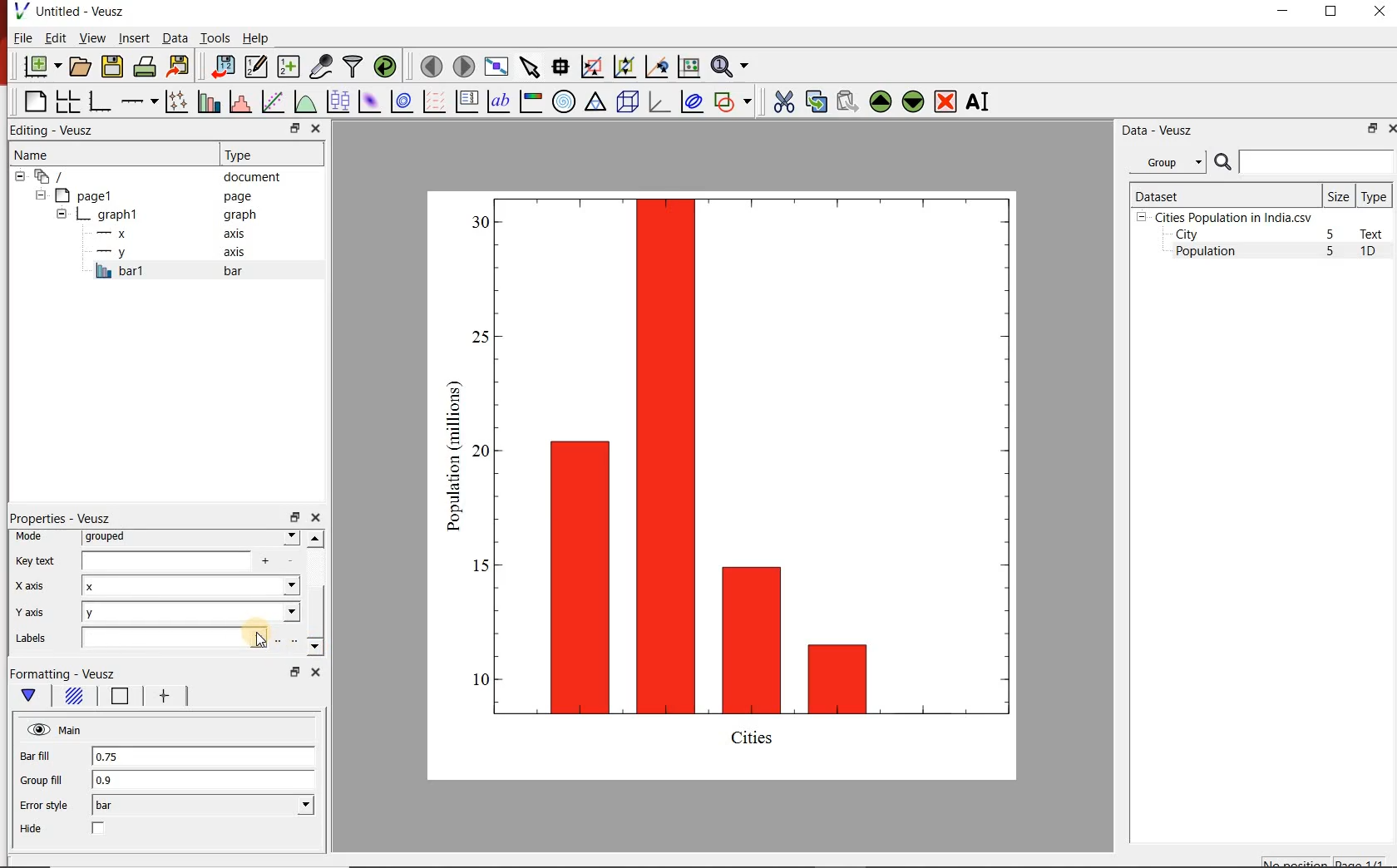 The height and width of the screenshot is (868, 1397). Describe the element at coordinates (191, 613) in the screenshot. I see `y` at that location.